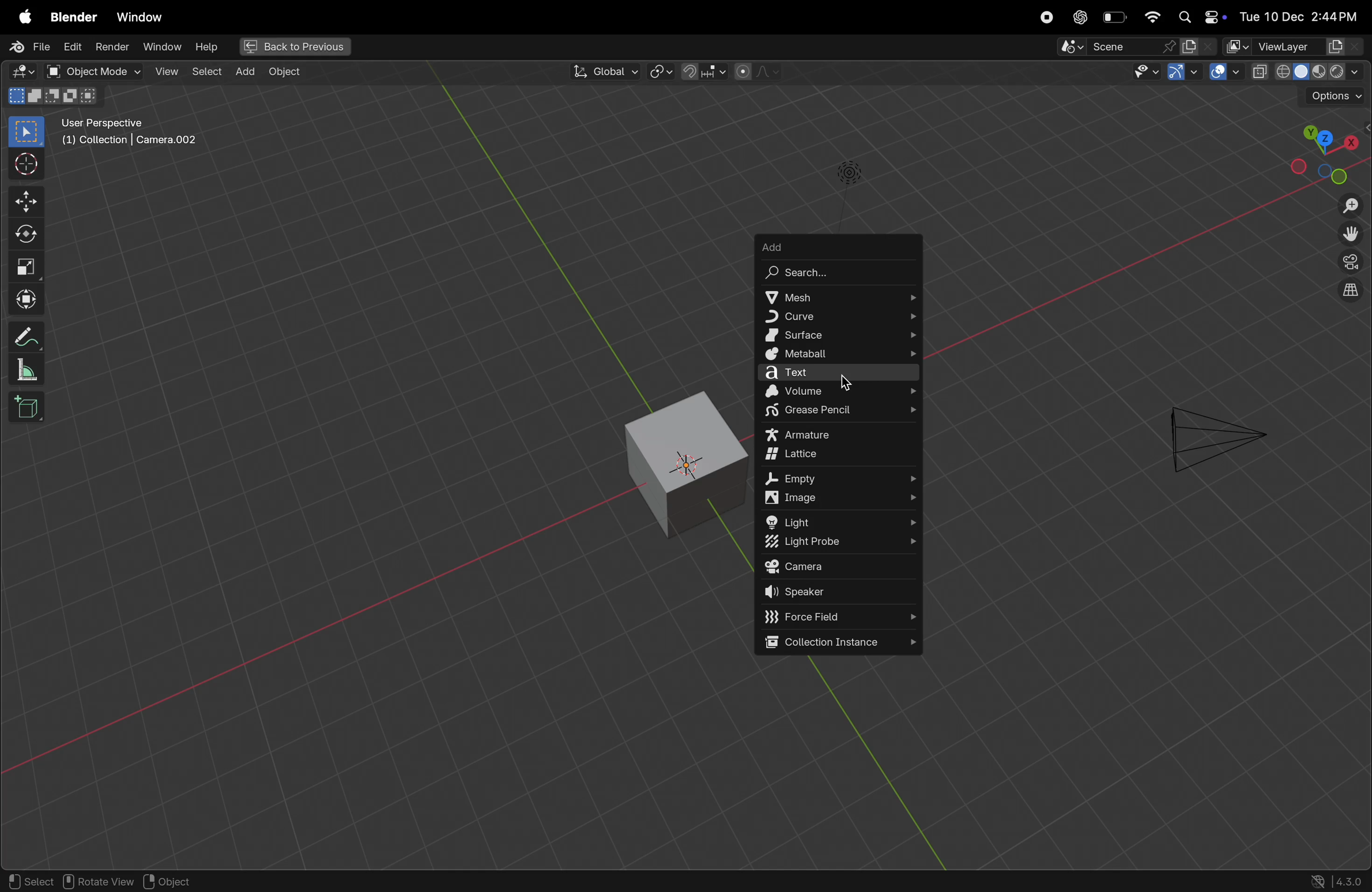 The height and width of the screenshot is (892, 1372). I want to click on Object, so click(288, 73).